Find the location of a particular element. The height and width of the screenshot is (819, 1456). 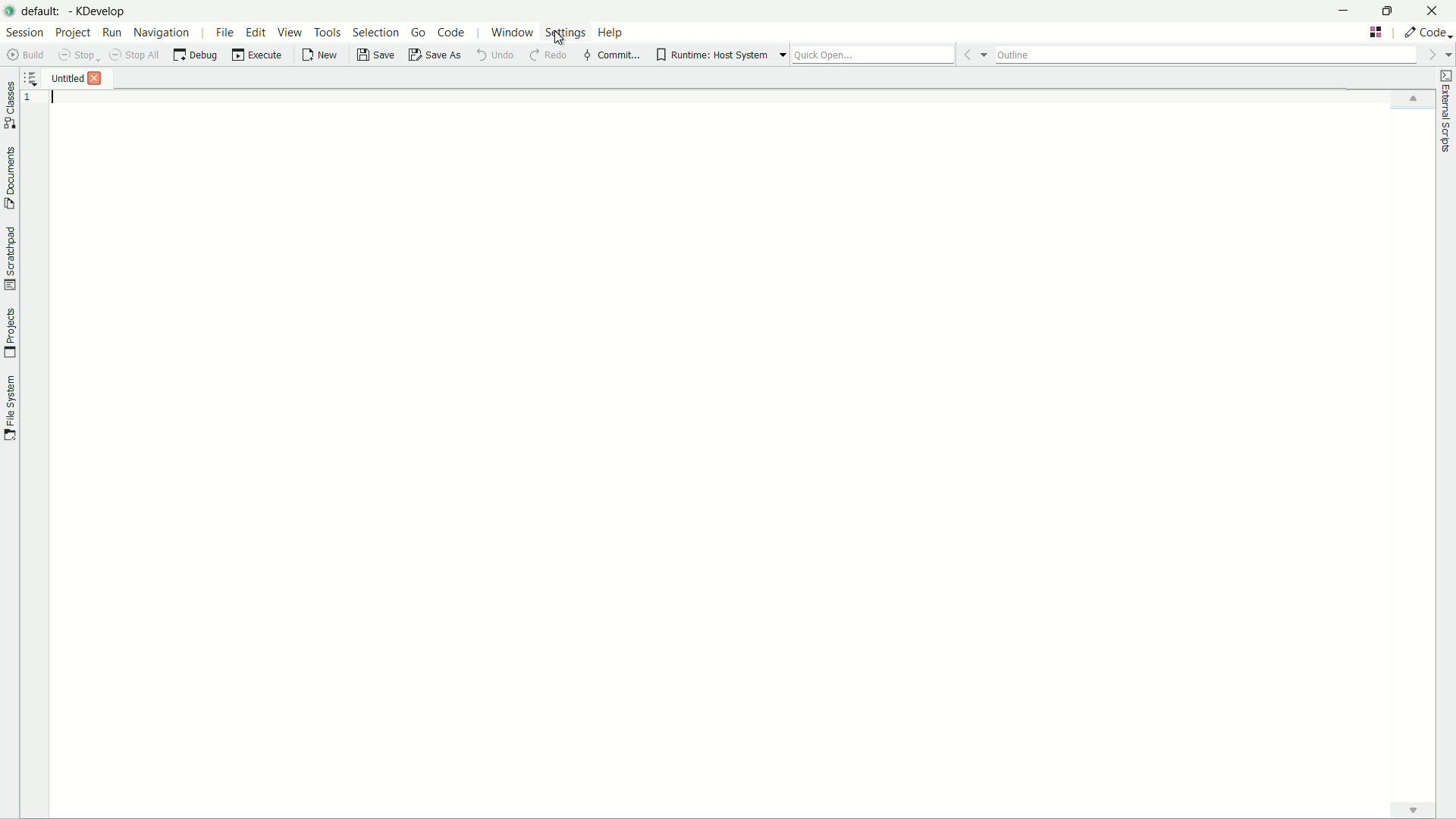

maximize or restore is located at coordinates (1386, 9).